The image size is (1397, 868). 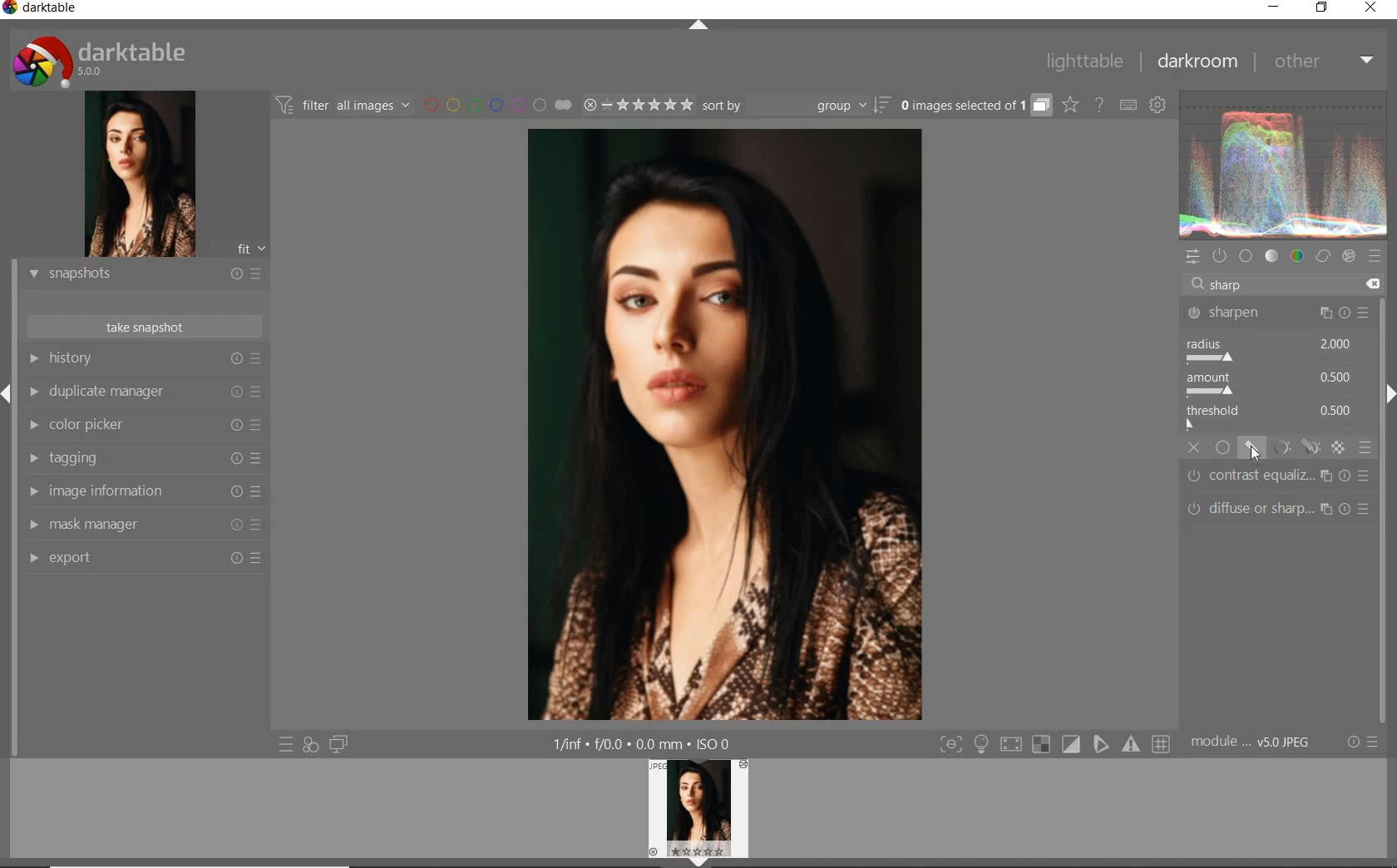 What do you see at coordinates (99, 61) in the screenshot?
I see `Darktable 5.0.0` at bounding box center [99, 61].